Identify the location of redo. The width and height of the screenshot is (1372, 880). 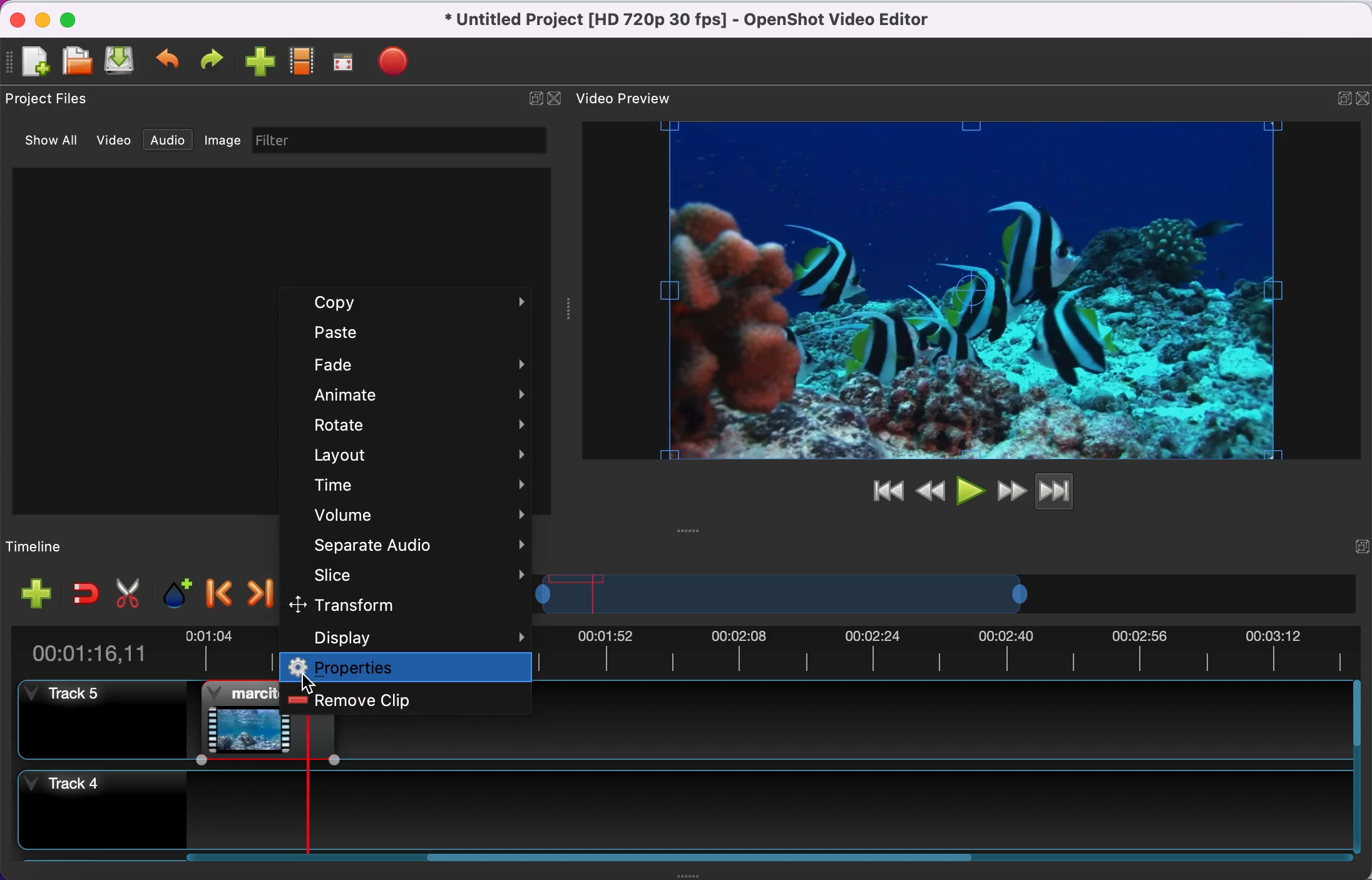
(215, 61).